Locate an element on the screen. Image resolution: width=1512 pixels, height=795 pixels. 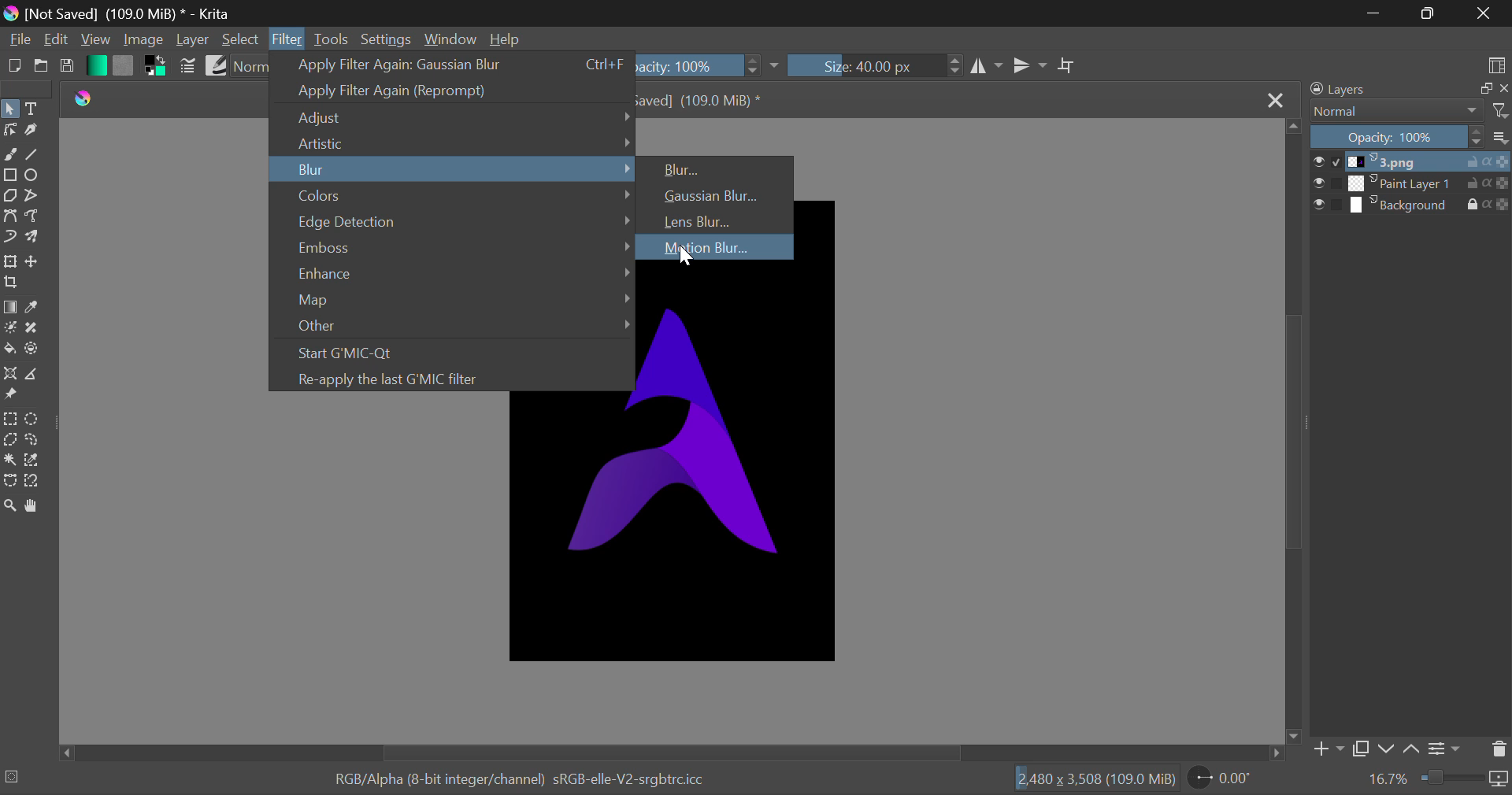
Vertical Mirror Flip is located at coordinates (988, 68).